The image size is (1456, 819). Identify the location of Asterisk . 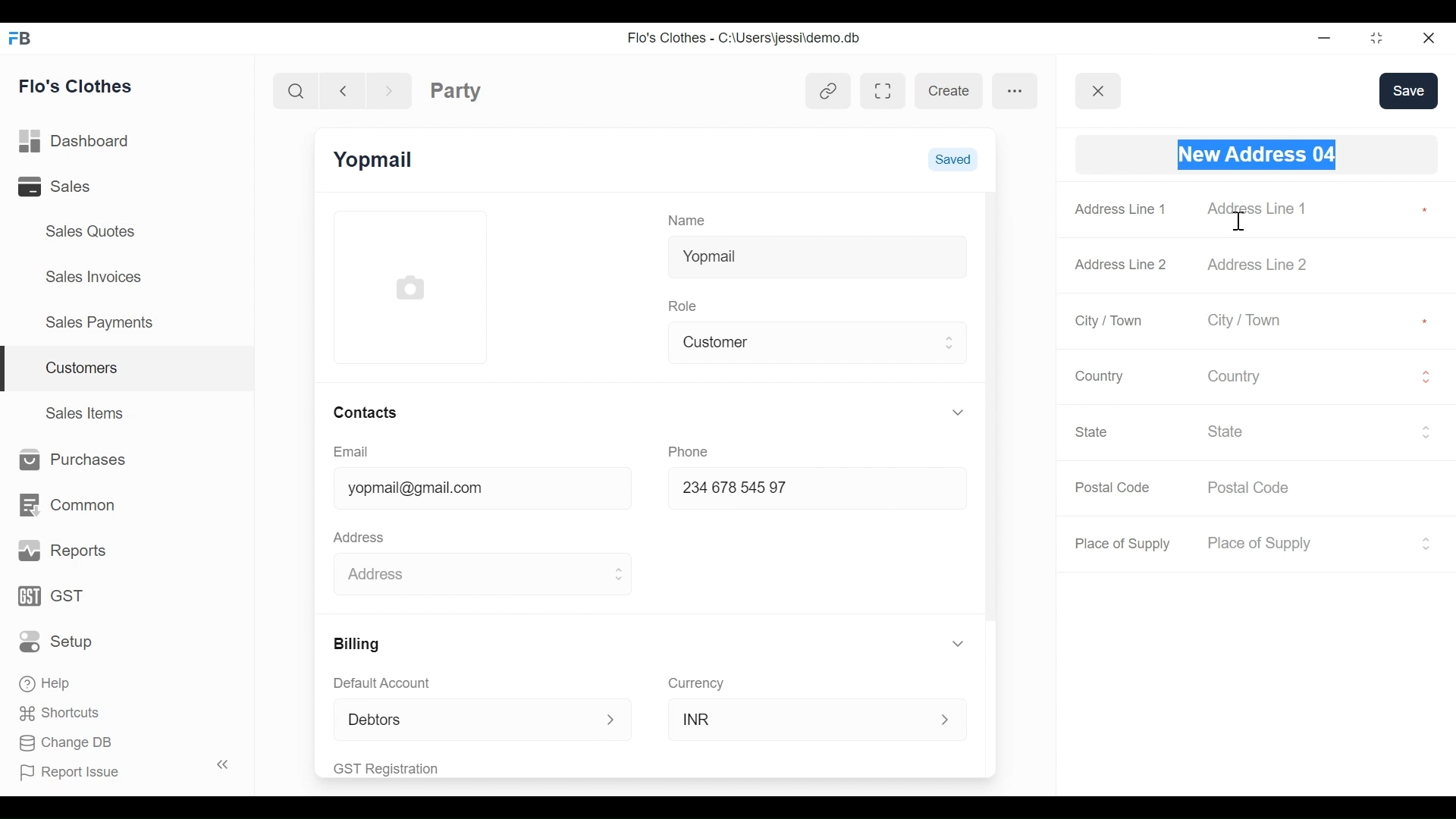
(1427, 319).